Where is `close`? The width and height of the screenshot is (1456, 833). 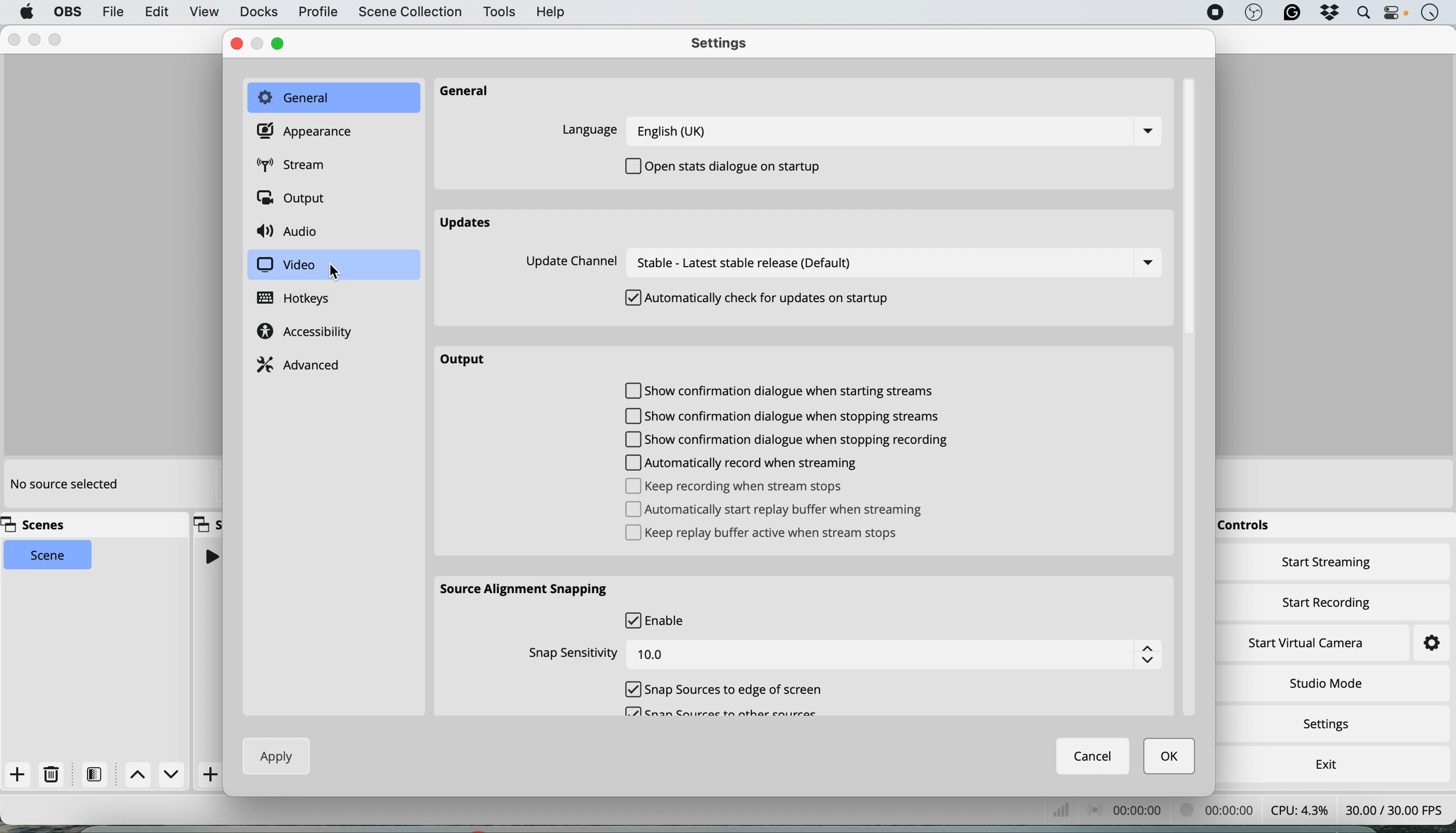
close is located at coordinates (12, 40).